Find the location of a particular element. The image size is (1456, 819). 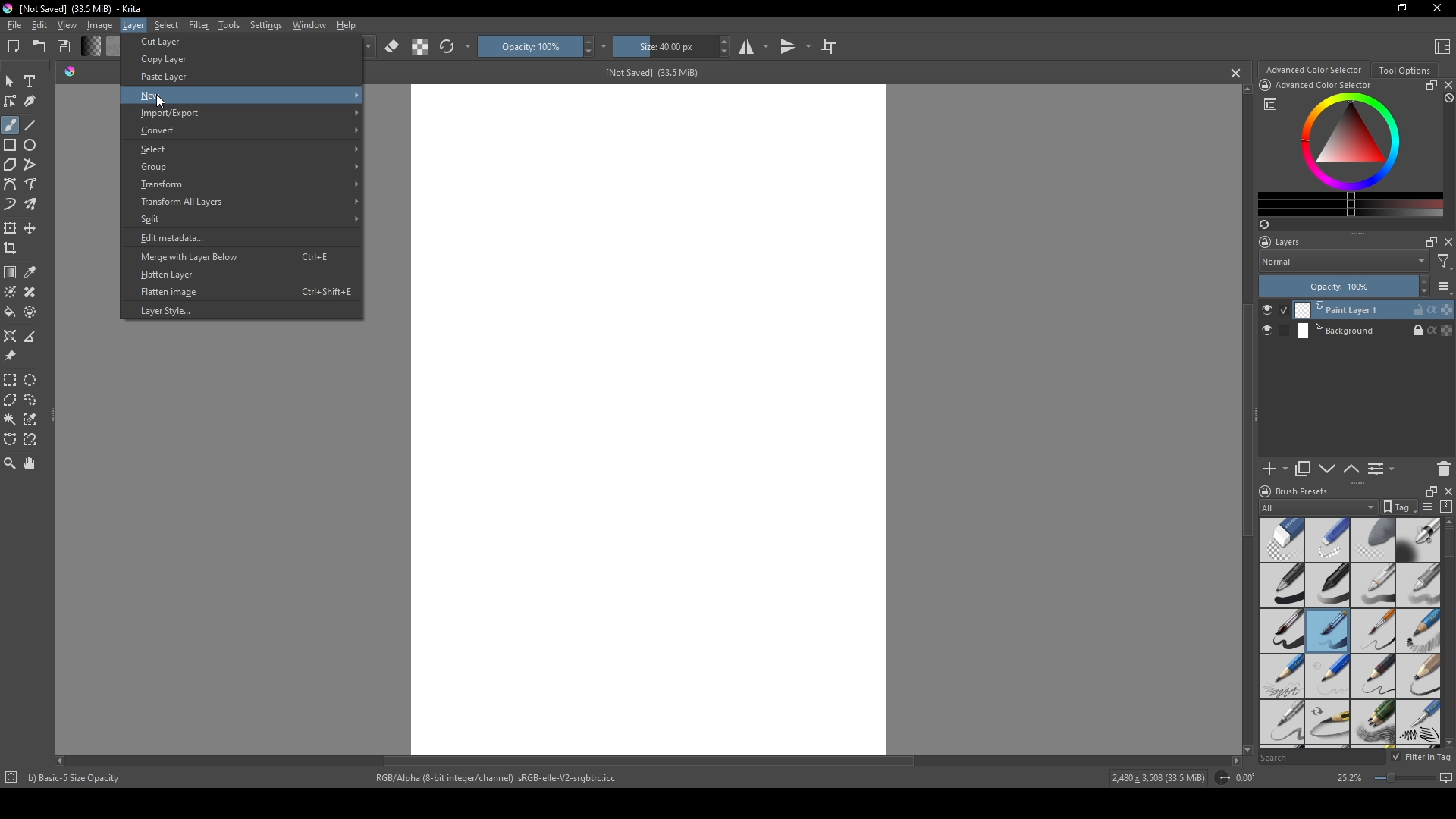

Layer is located at coordinates (133, 25).